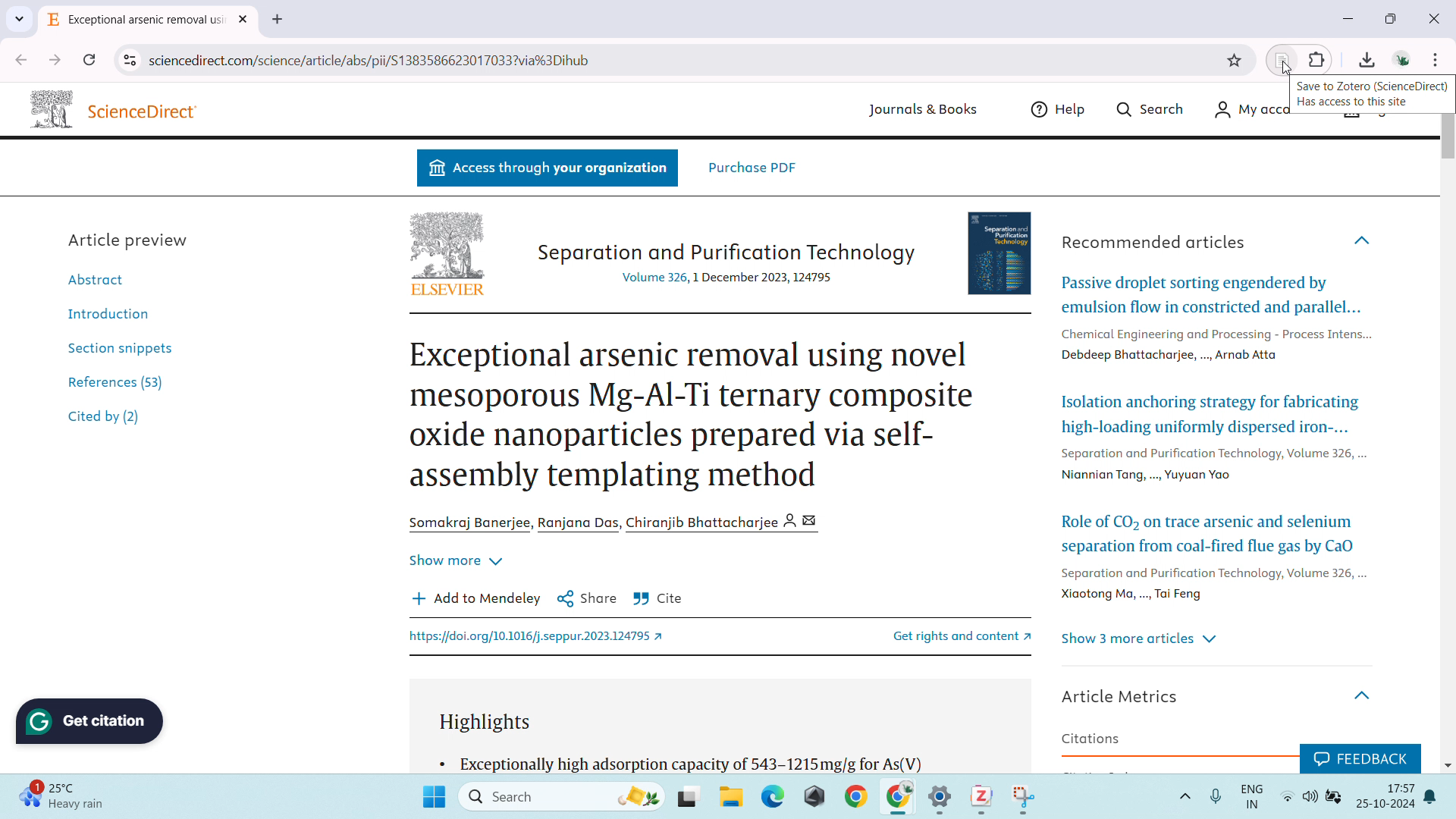  Describe the element at coordinates (1210, 531) in the screenshot. I see `Role of CO2 on trace arsenic and selenium separation from coal-fired flue gas by CaO` at that location.